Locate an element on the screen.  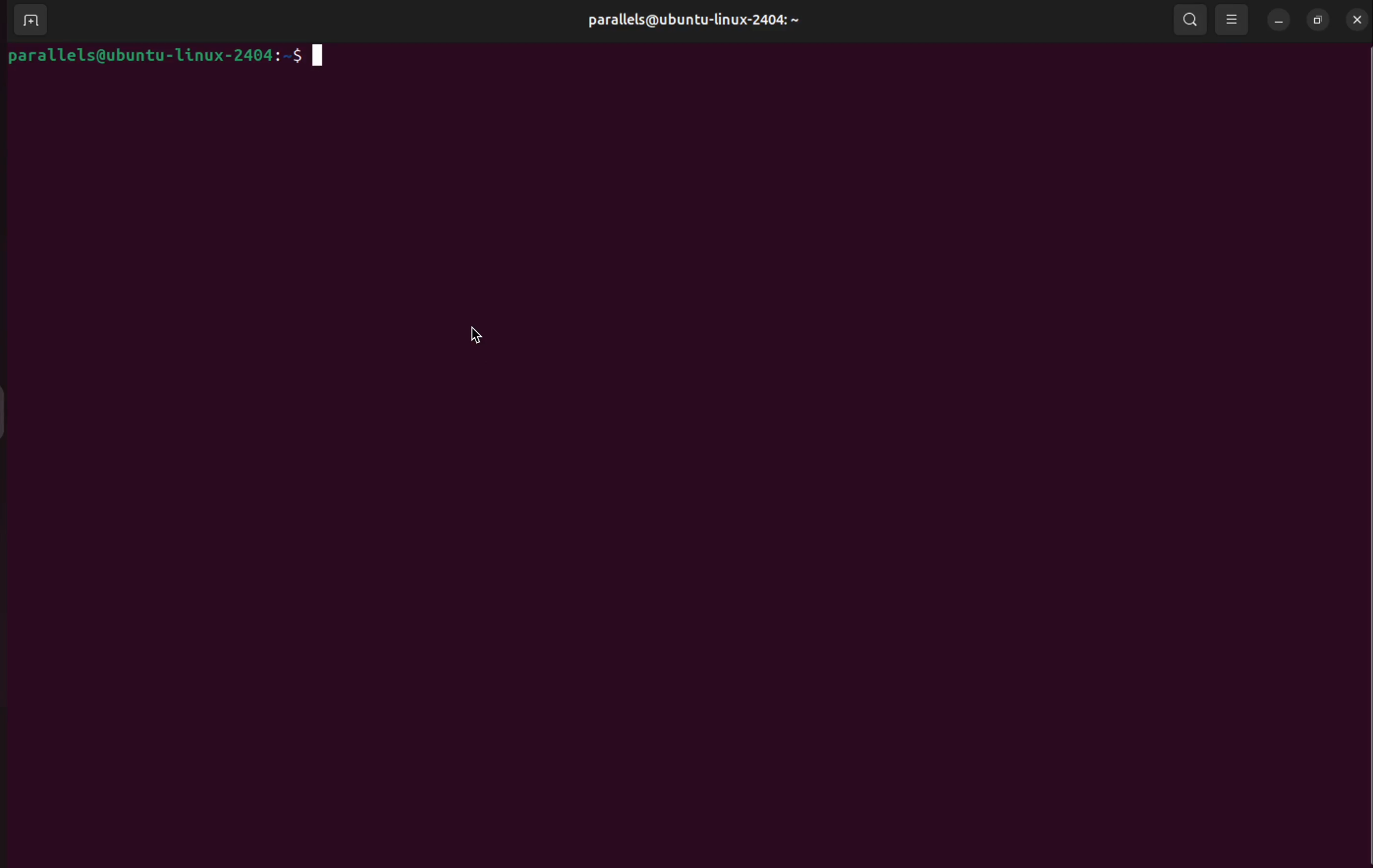
close is located at coordinates (1356, 20).